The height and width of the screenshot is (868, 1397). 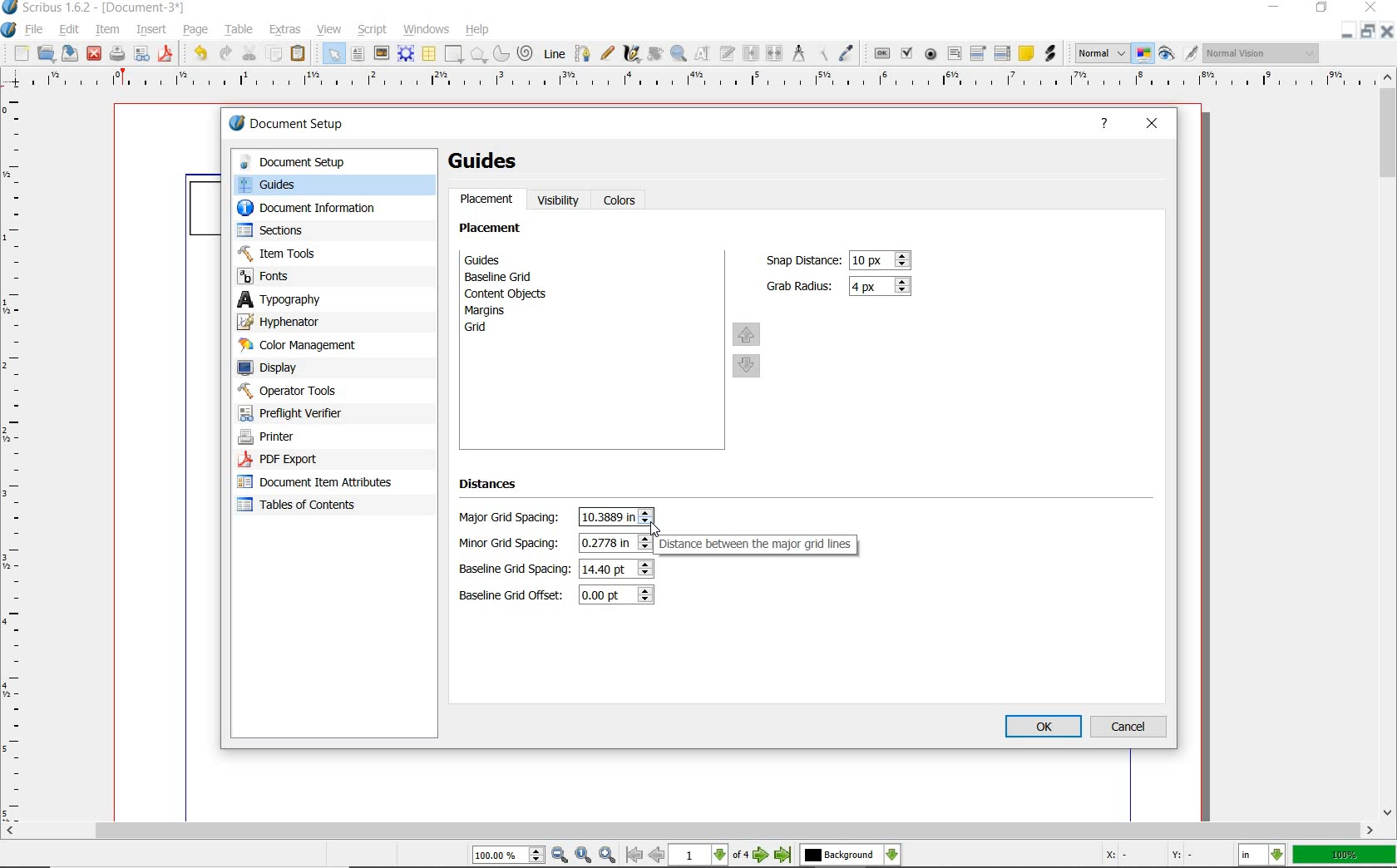 I want to click on zoom in, so click(x=607, y=856).